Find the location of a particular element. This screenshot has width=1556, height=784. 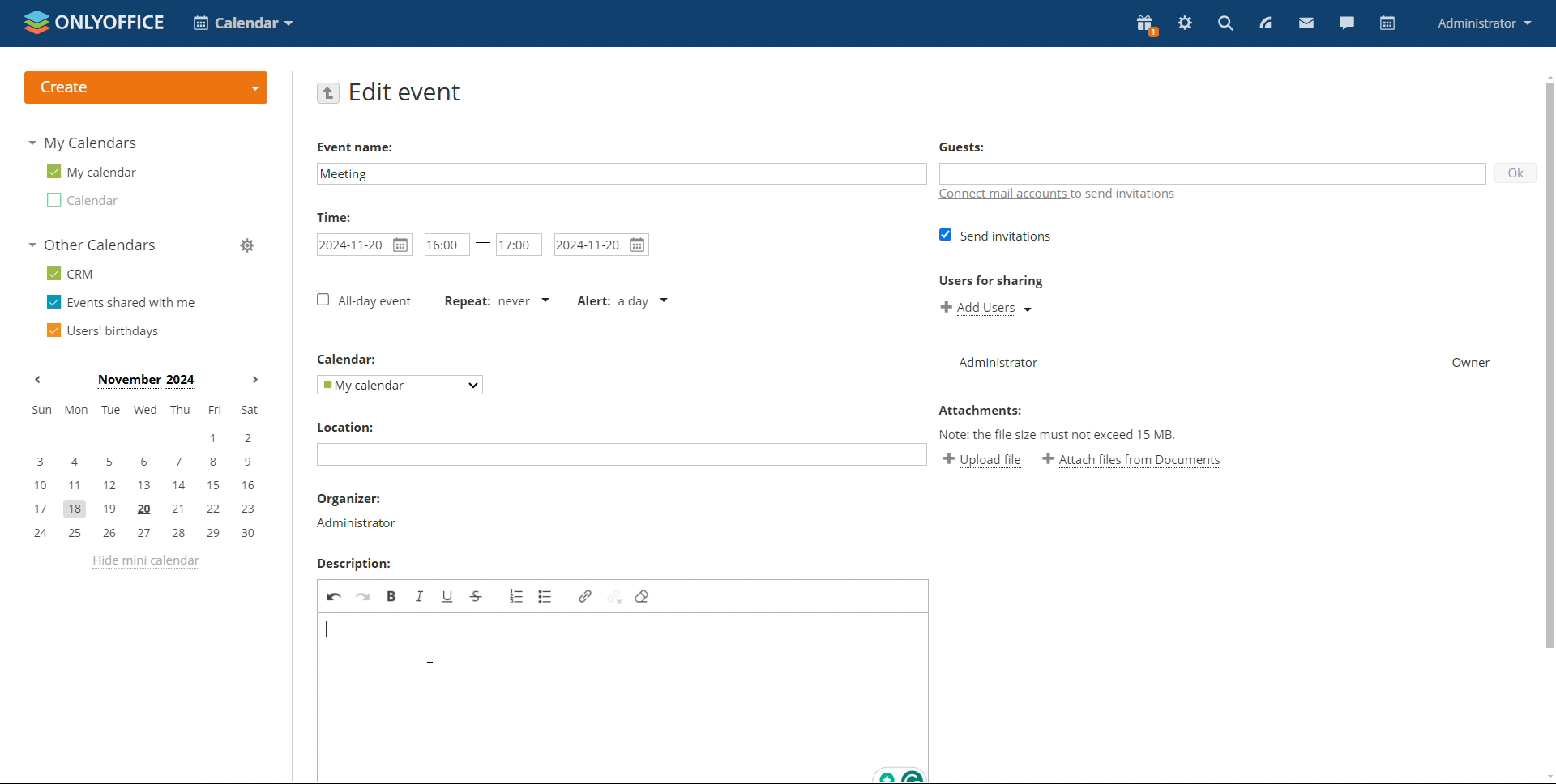

other calendars is located at coordinates (92, 245).